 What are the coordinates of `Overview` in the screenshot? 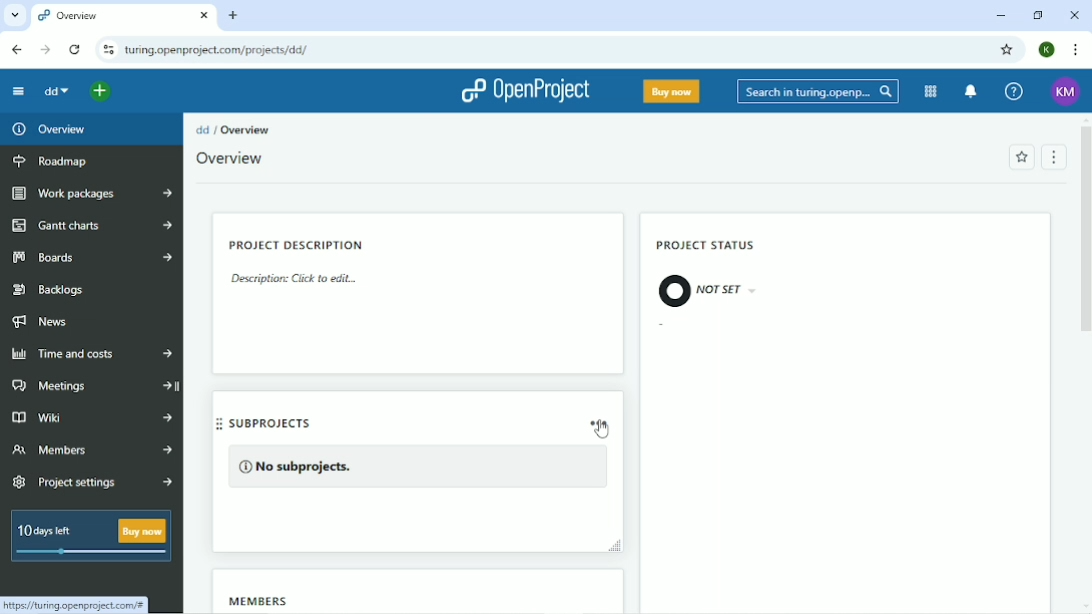 It's located at (54, 130).